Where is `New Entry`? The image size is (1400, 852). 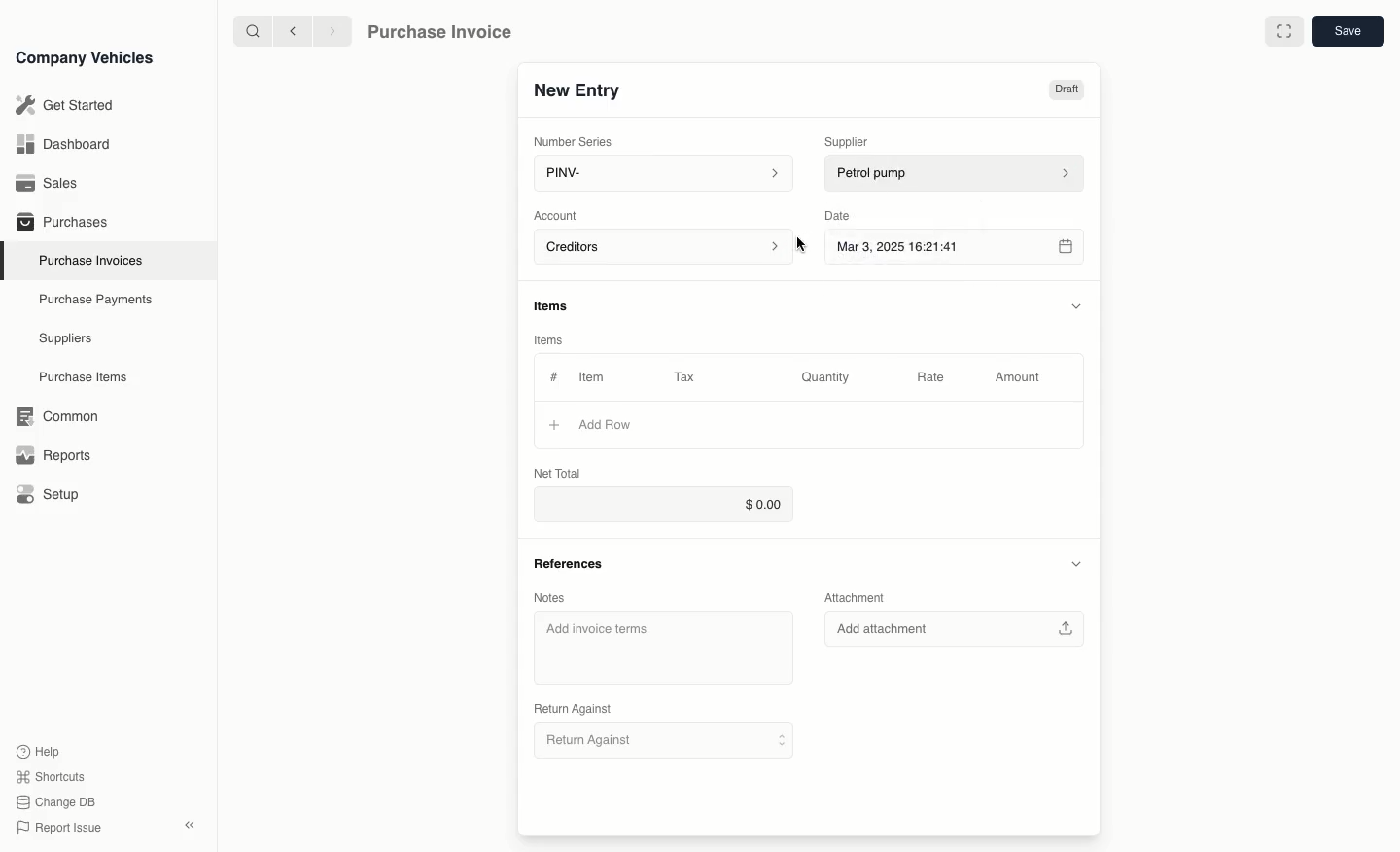 New Entry is located at coordinates (586, 89).